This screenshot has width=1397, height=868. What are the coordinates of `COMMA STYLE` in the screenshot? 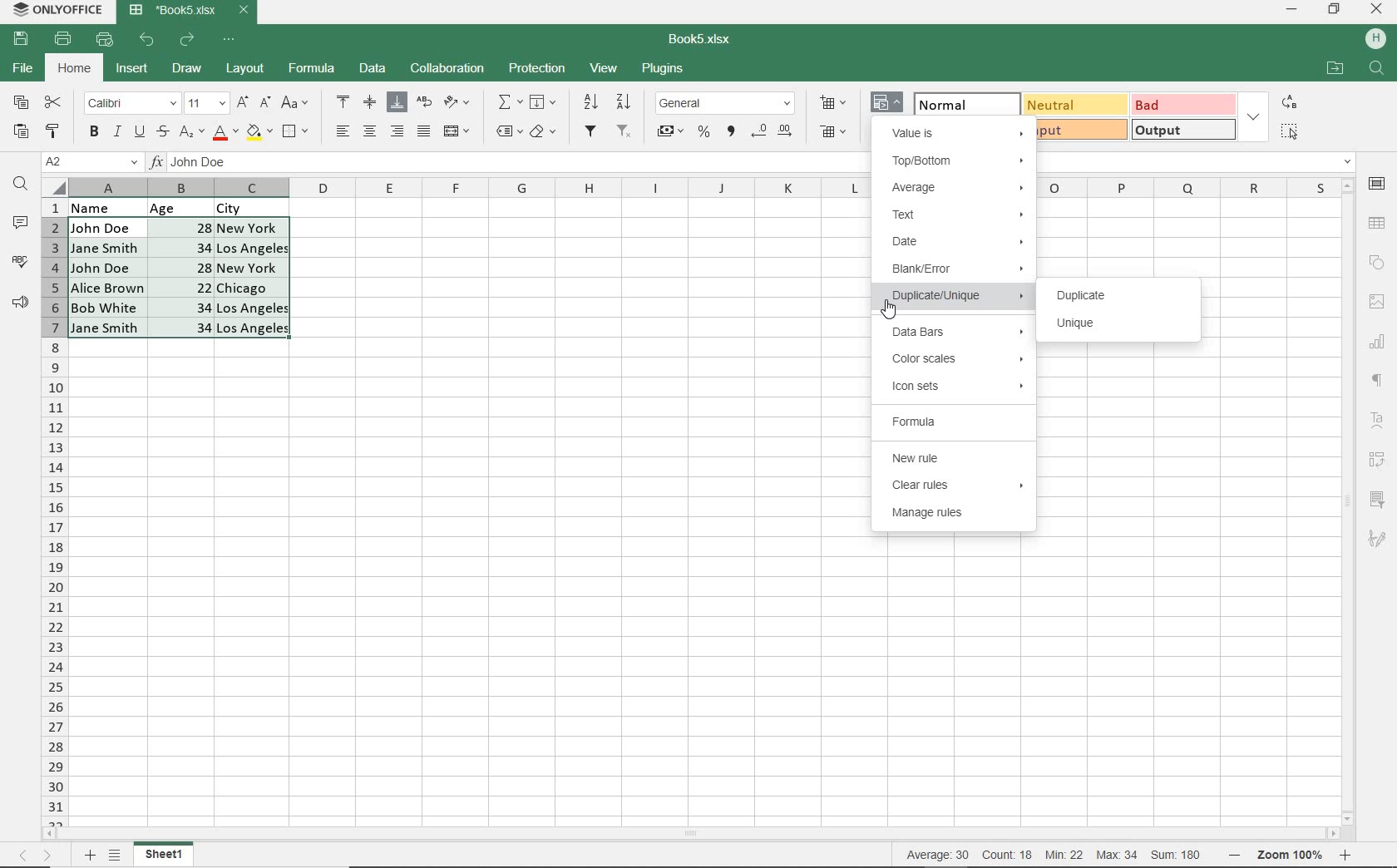 It's located at (729, 131).